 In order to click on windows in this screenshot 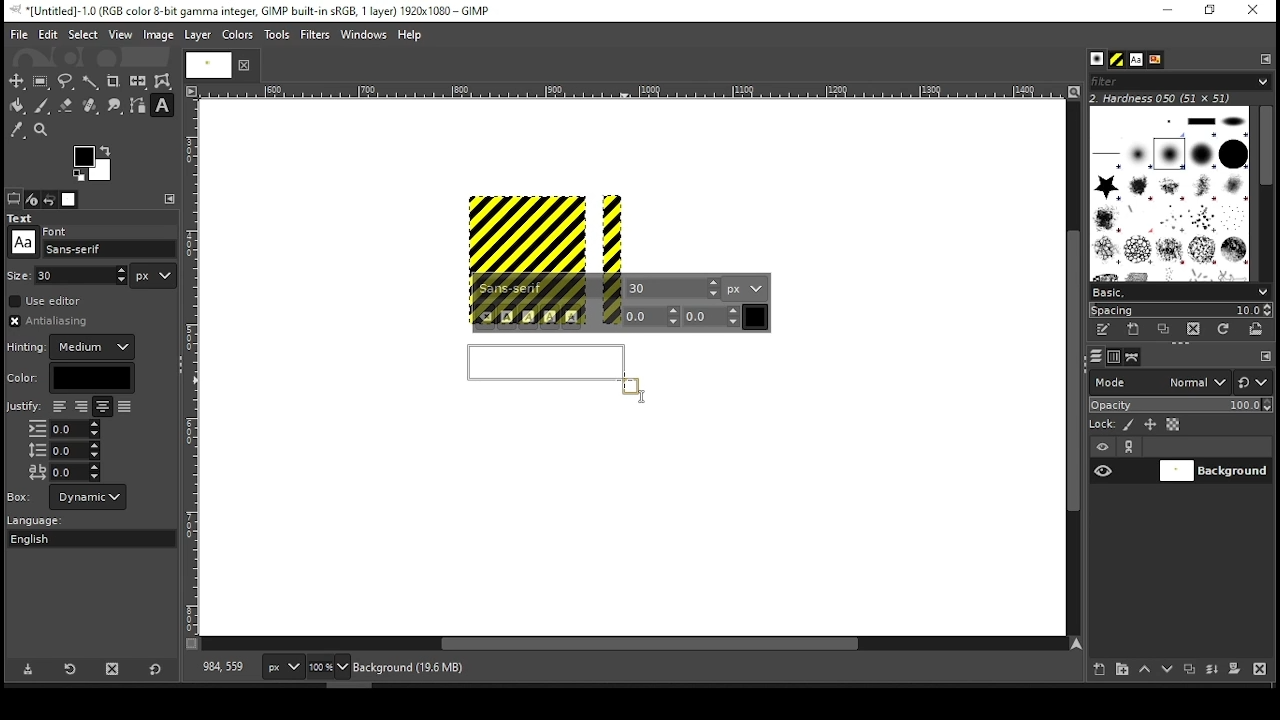, I will do `click(365, 36)`.